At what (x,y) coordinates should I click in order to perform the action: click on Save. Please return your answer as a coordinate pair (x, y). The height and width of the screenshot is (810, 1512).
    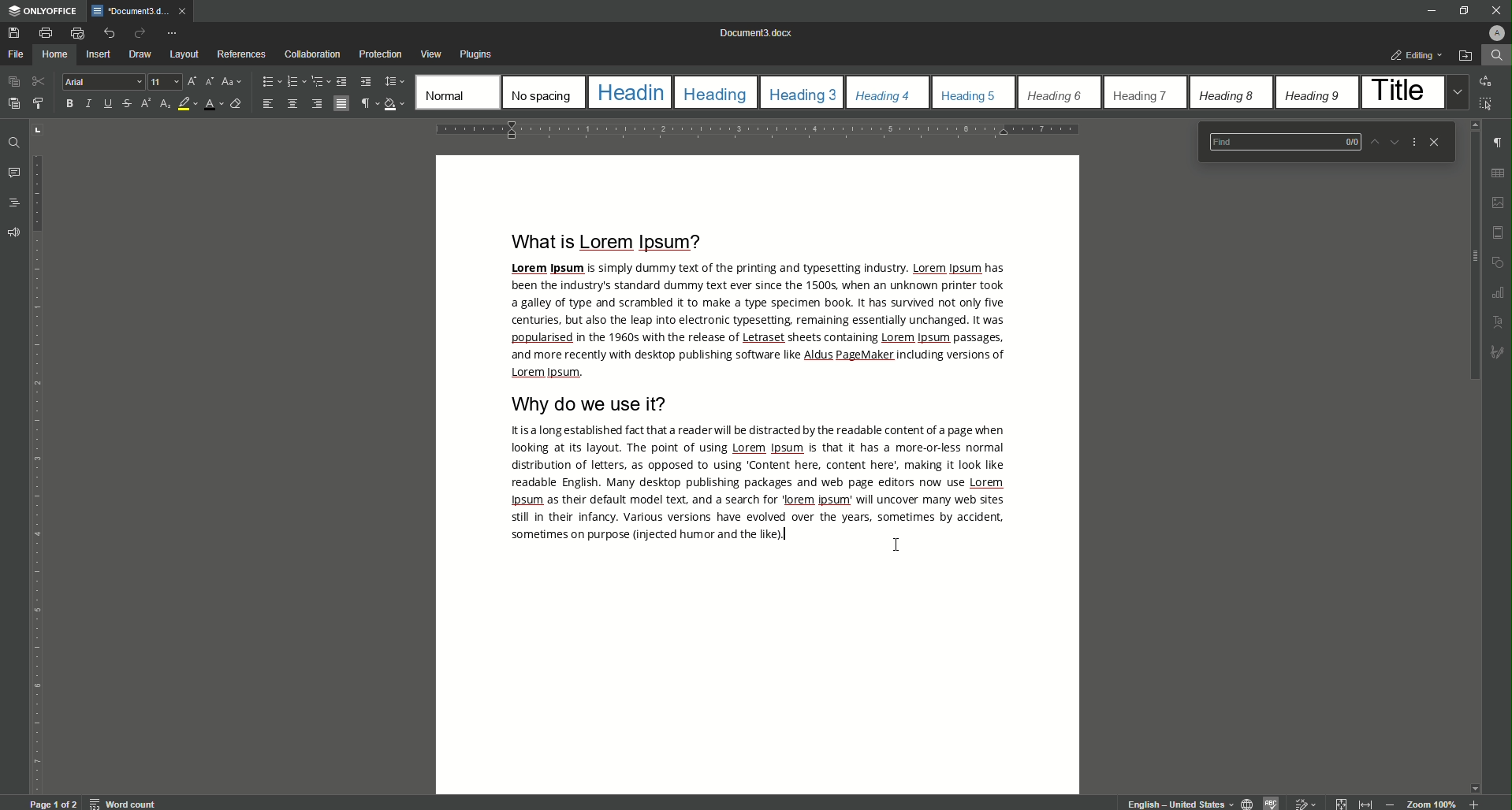
    Looking at the image, I should click on (15, 32).